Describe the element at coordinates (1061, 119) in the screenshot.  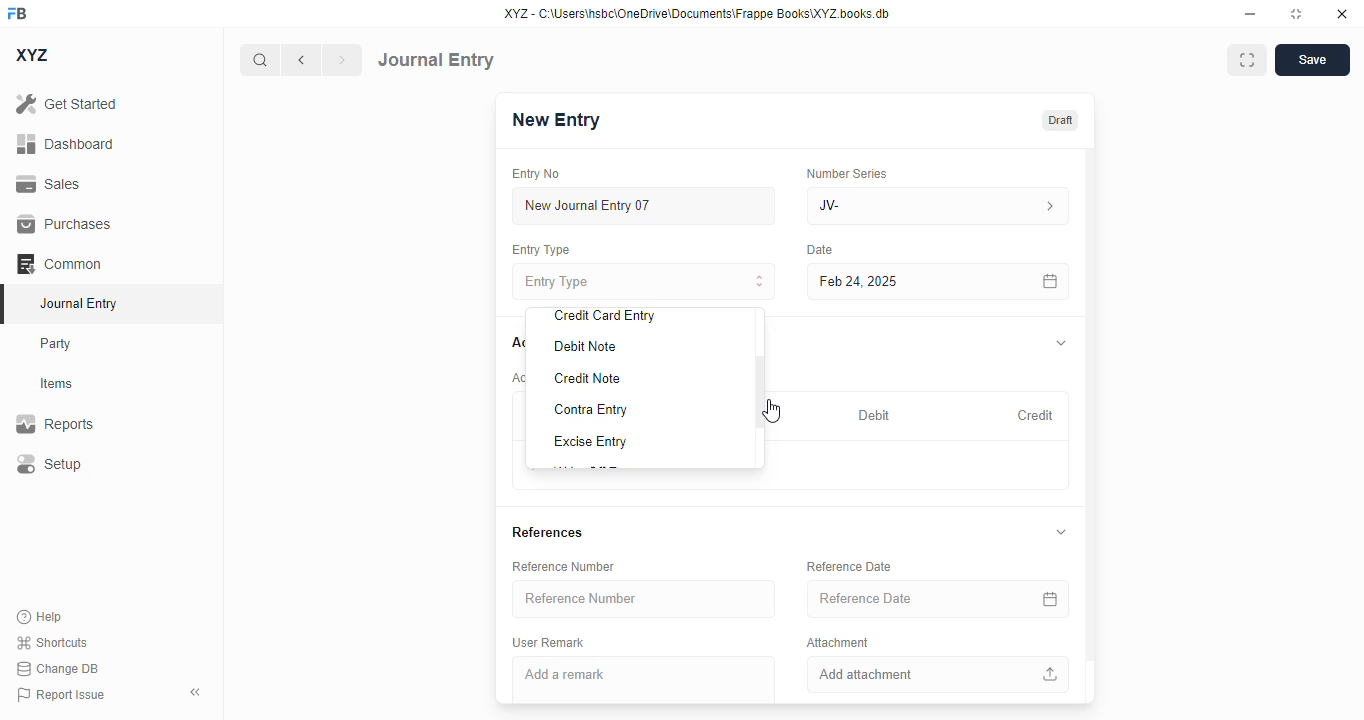
I see `draft` at that location.